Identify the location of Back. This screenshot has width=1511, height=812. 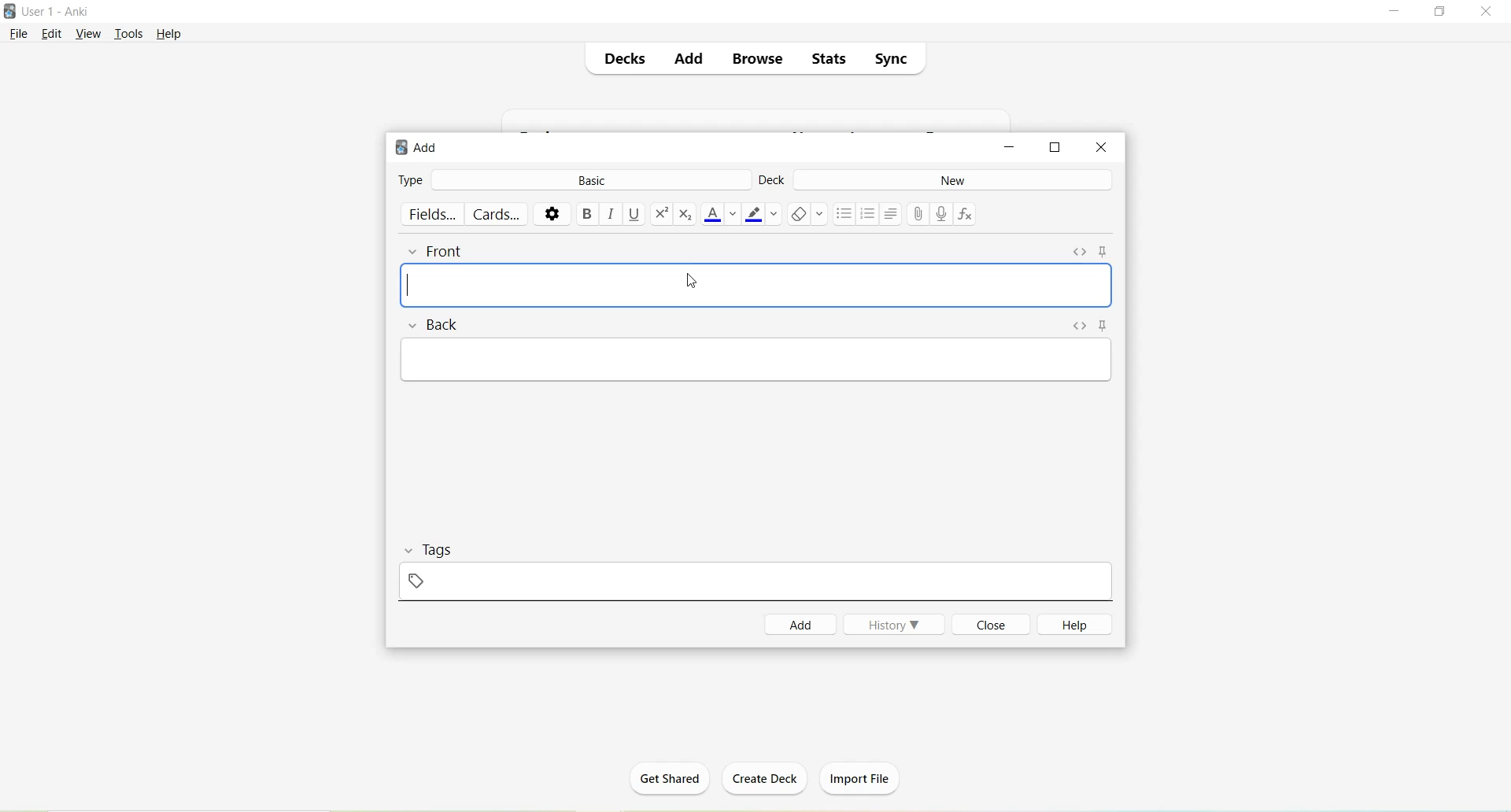
(447, 326).